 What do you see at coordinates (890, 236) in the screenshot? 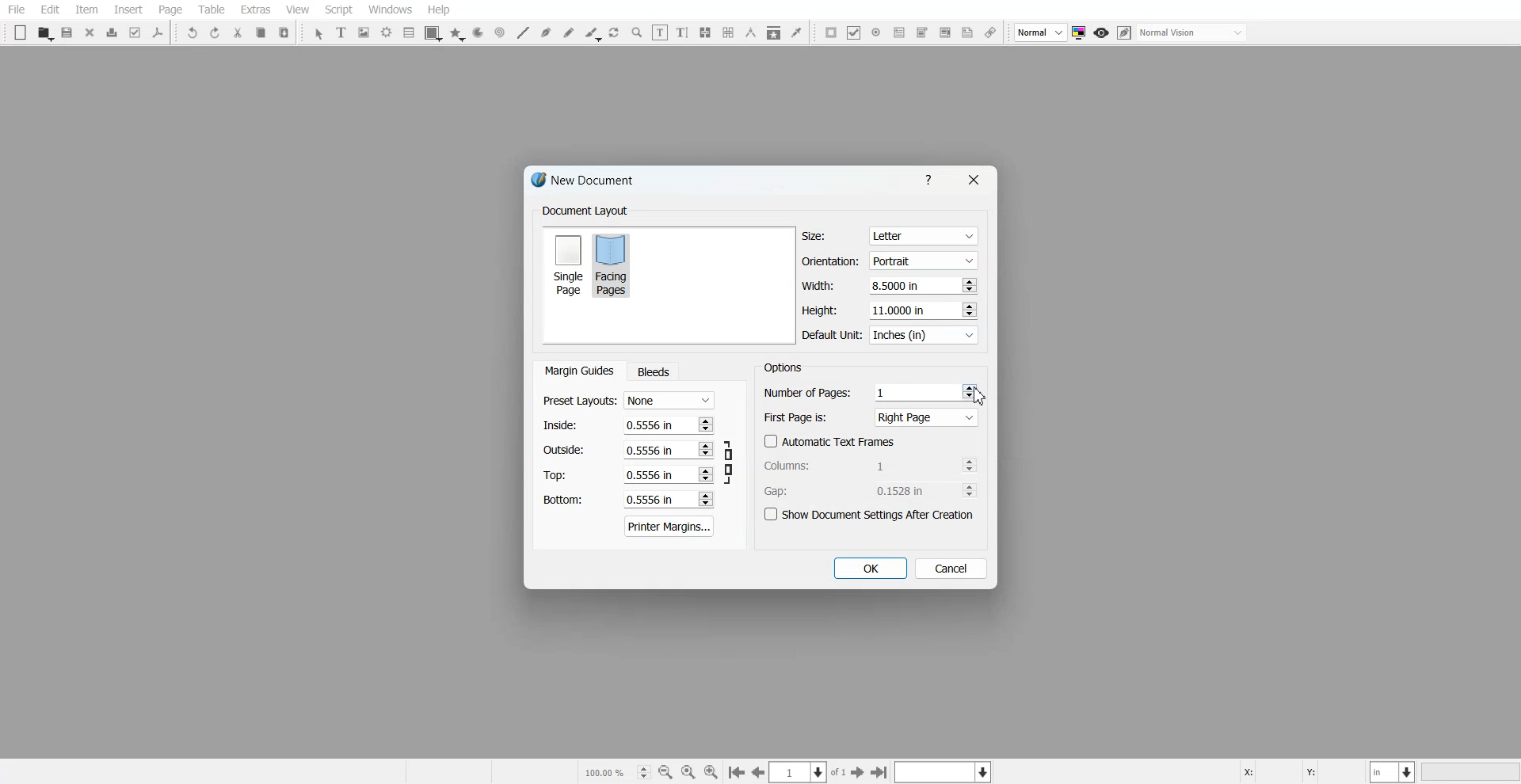
I see `Size` at bounding box center [890, 236].